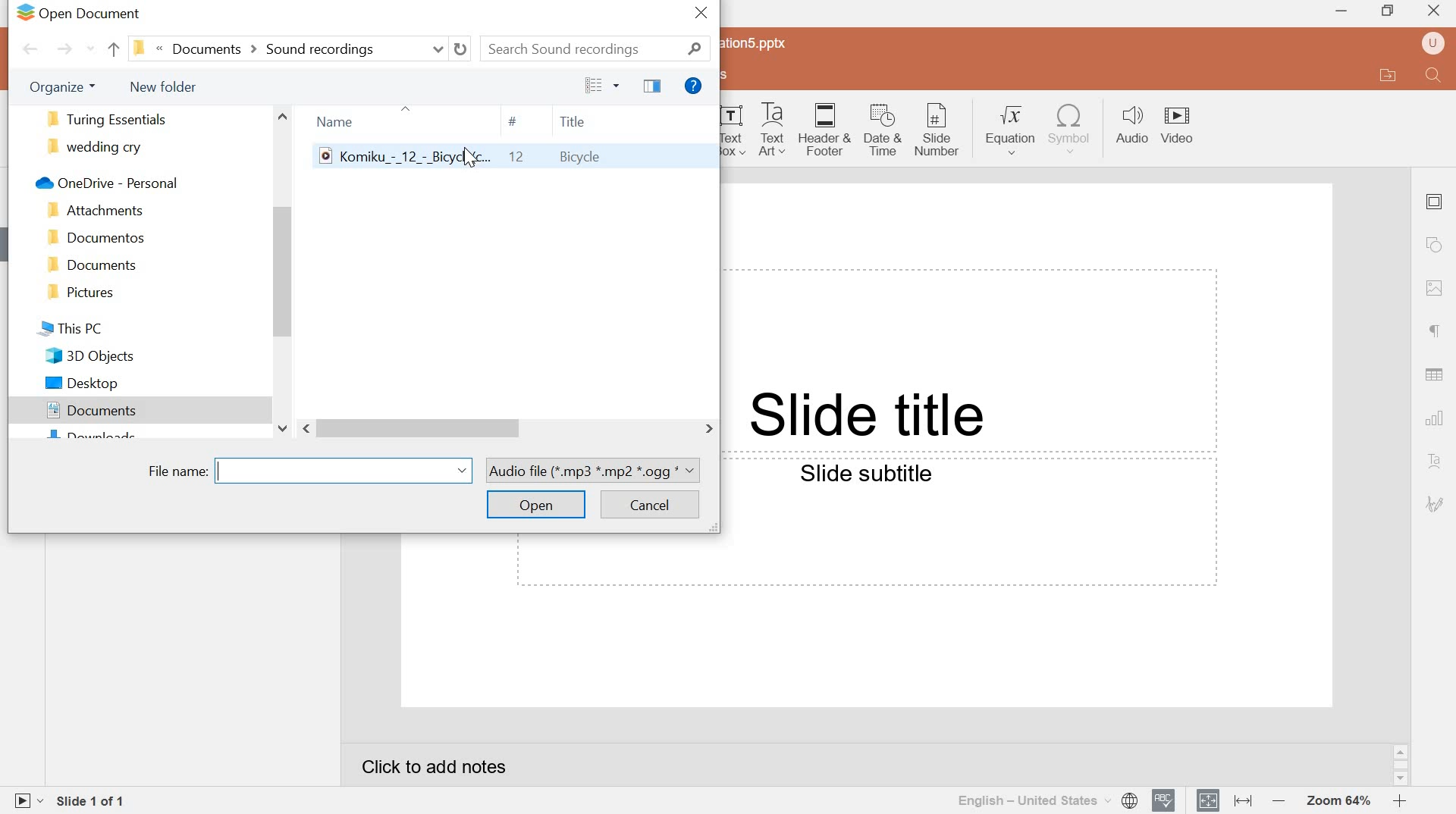 This screenshot has width=1456, height=814. What do you see at coordinates (1176, 115) in the screenshot?
I see `Video` at bounding box center [1176, 115].